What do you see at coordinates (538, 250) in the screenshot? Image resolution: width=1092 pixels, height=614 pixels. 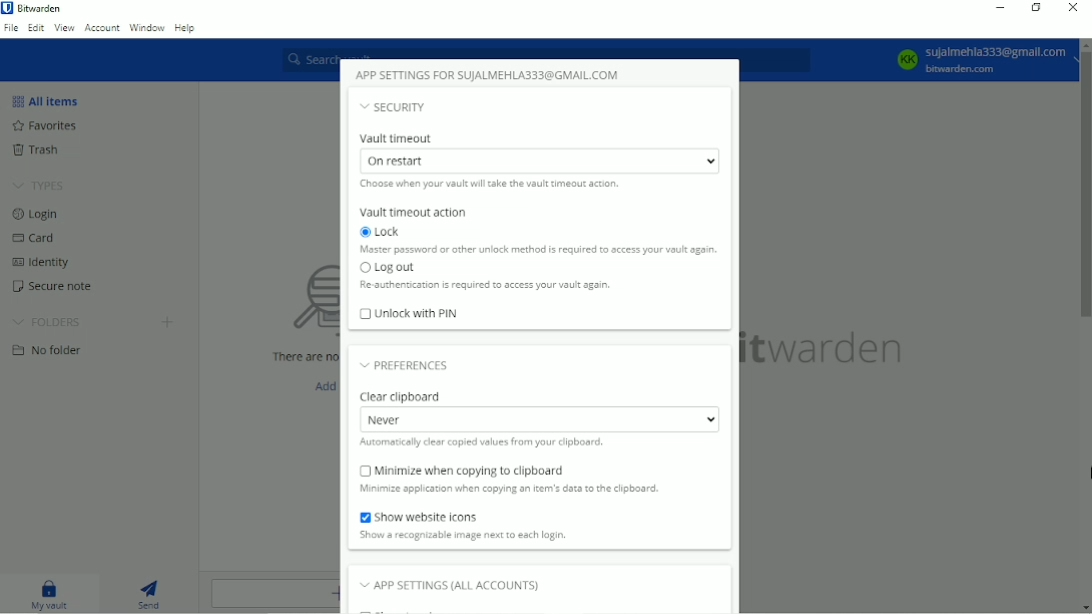 I see `Master password or other unlock method is required to access your vault again.` at bounding box center [538, 250].